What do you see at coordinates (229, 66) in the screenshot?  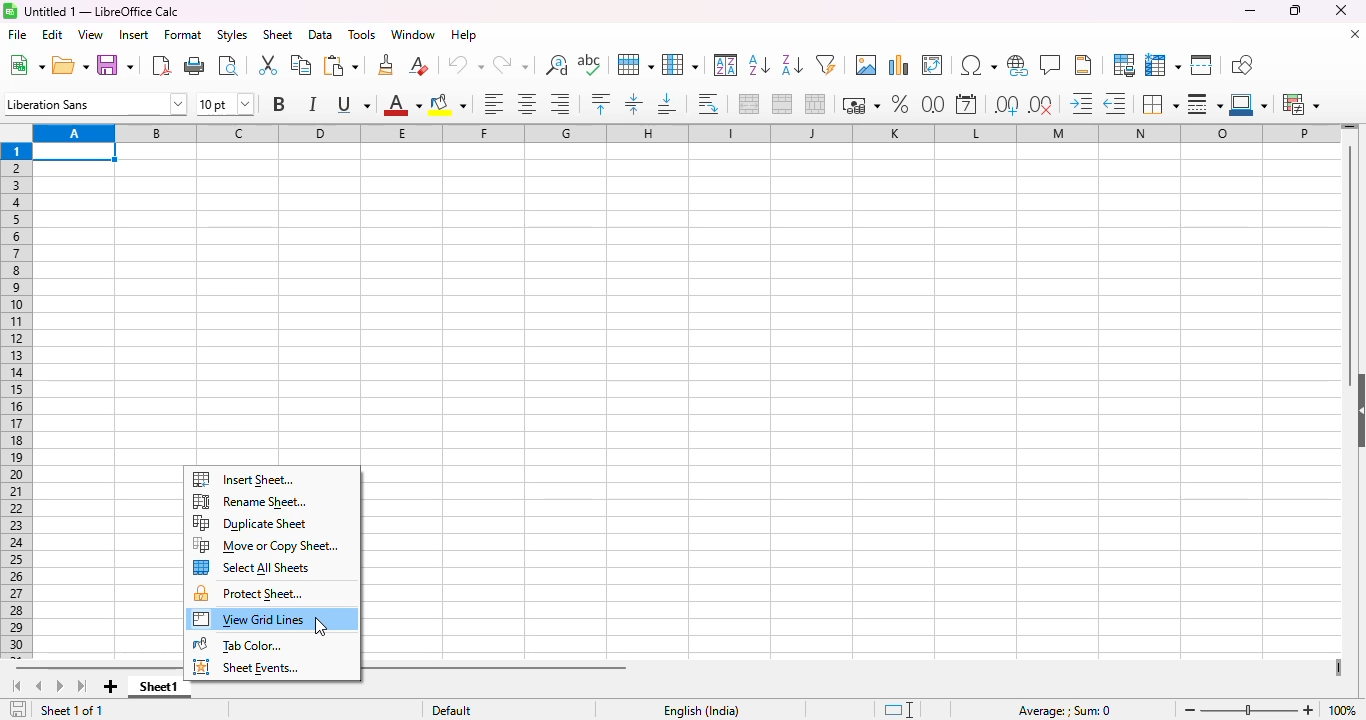 I see `toggle print preview` at bounding box center [229, 66].